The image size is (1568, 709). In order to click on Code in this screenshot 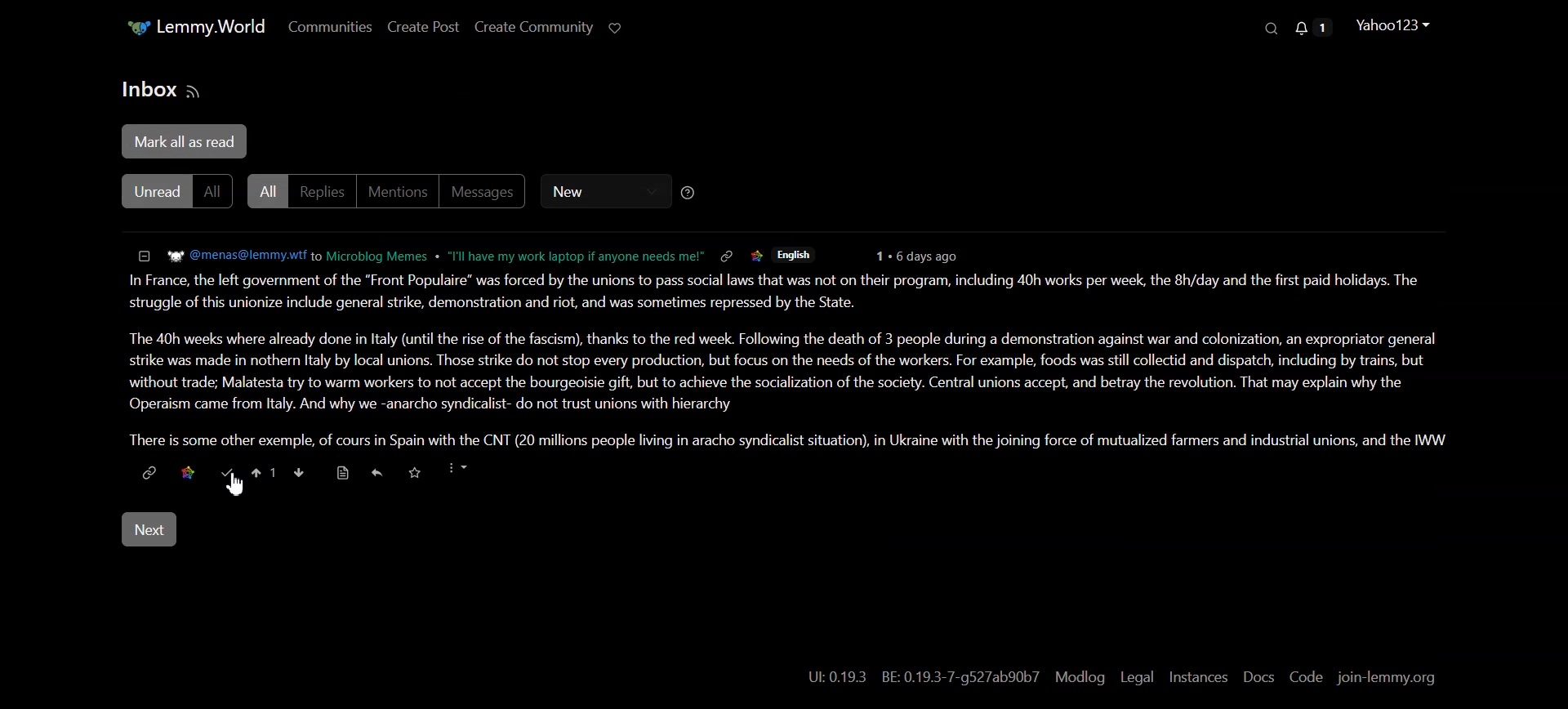, I will do `click(1304, 678)`.